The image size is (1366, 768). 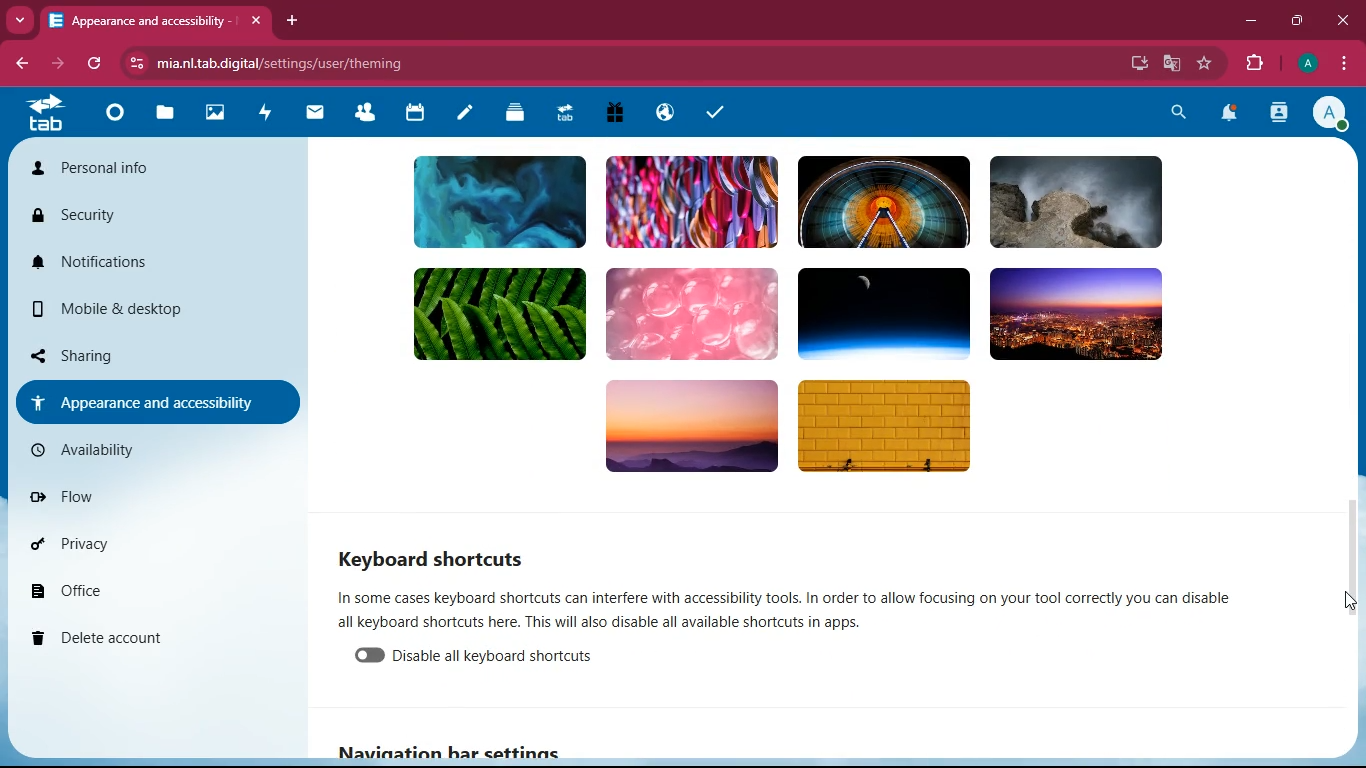 I want to click on add tab, so click(x=292, y=21).